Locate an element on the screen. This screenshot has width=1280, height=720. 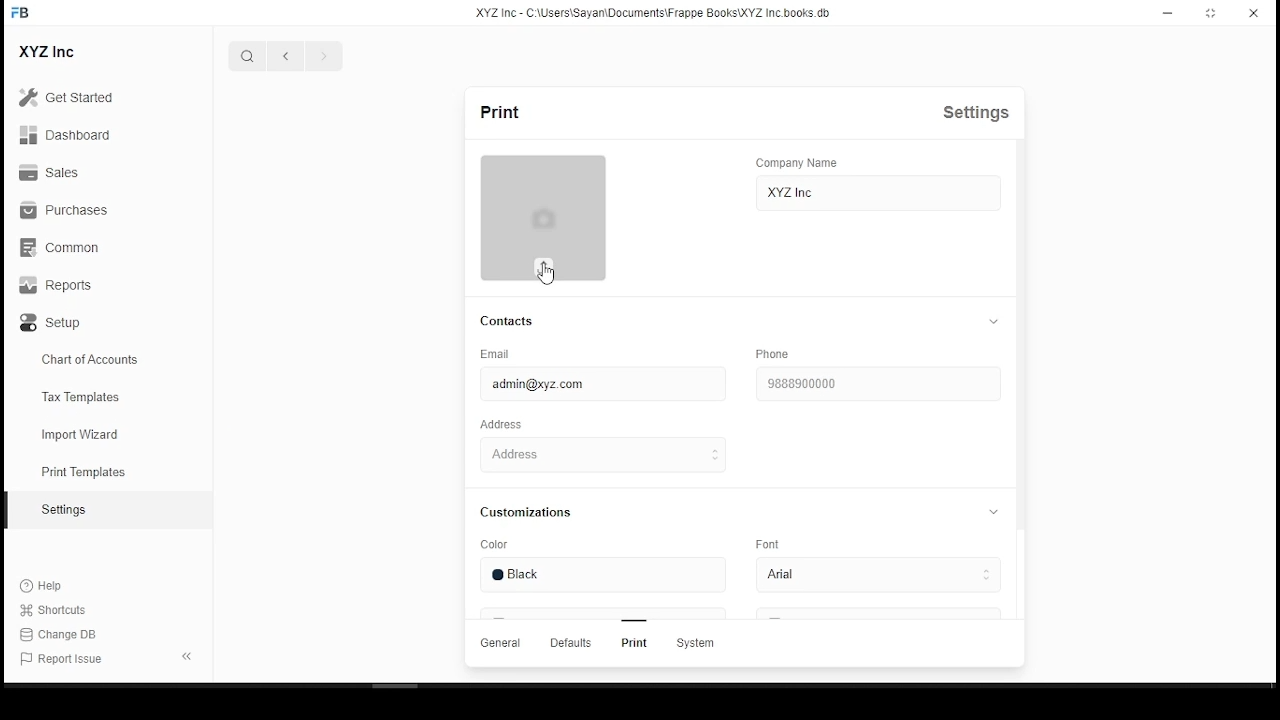
Print is located at coordinates (634, 644).